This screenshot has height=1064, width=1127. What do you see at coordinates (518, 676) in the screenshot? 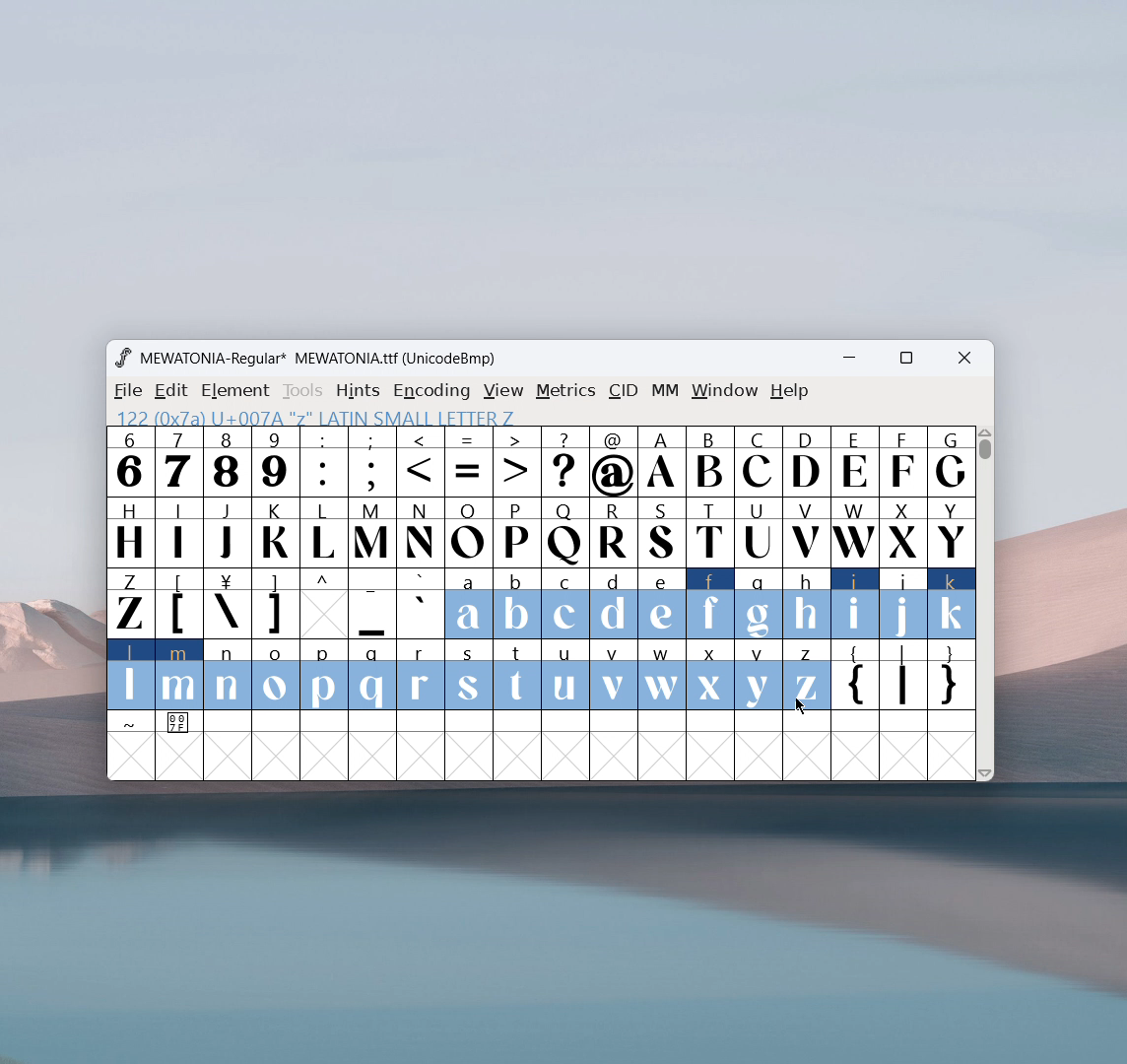
I see `t` at bounding box center [518, 676].